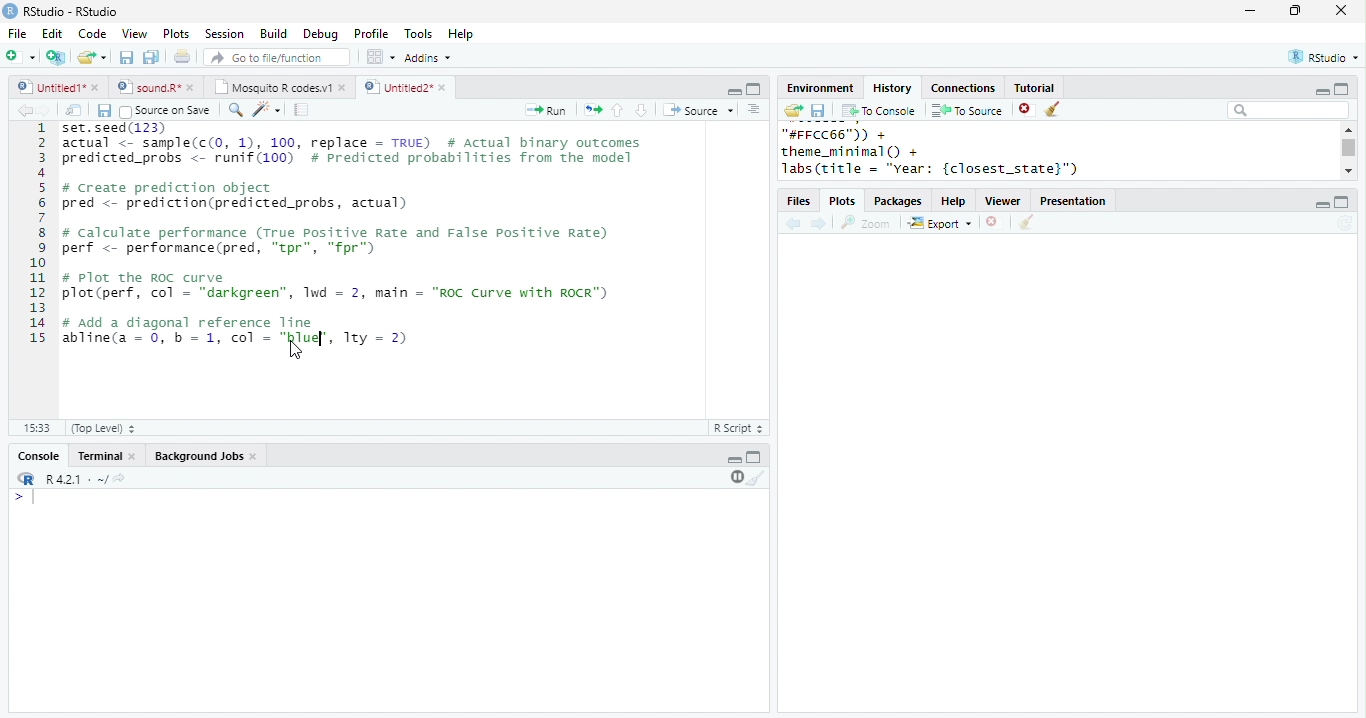  Describe the element at coordinates (545, 110) in the screenshot. I see `run` at that location.